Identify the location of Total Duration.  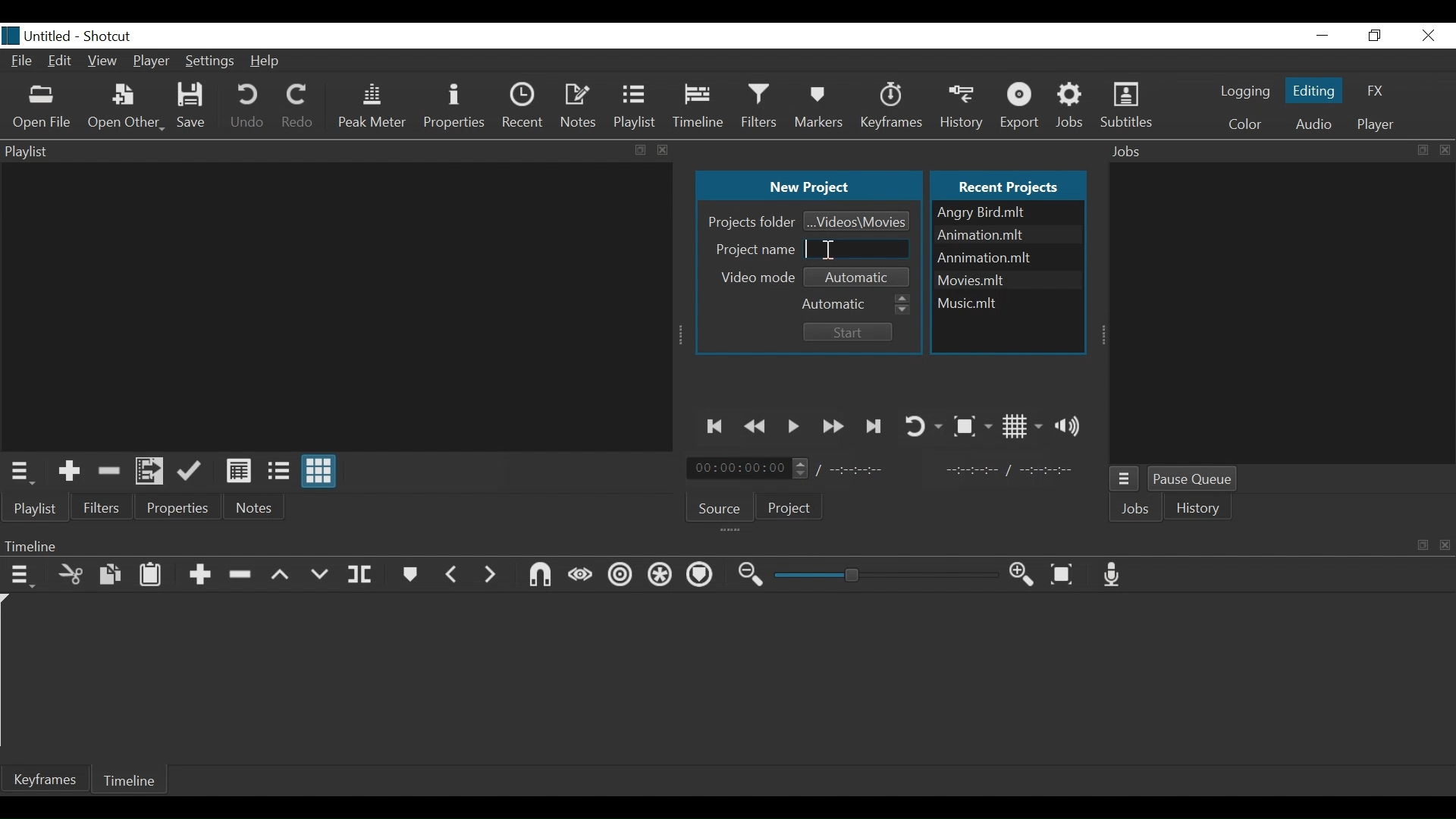
(867, 470).